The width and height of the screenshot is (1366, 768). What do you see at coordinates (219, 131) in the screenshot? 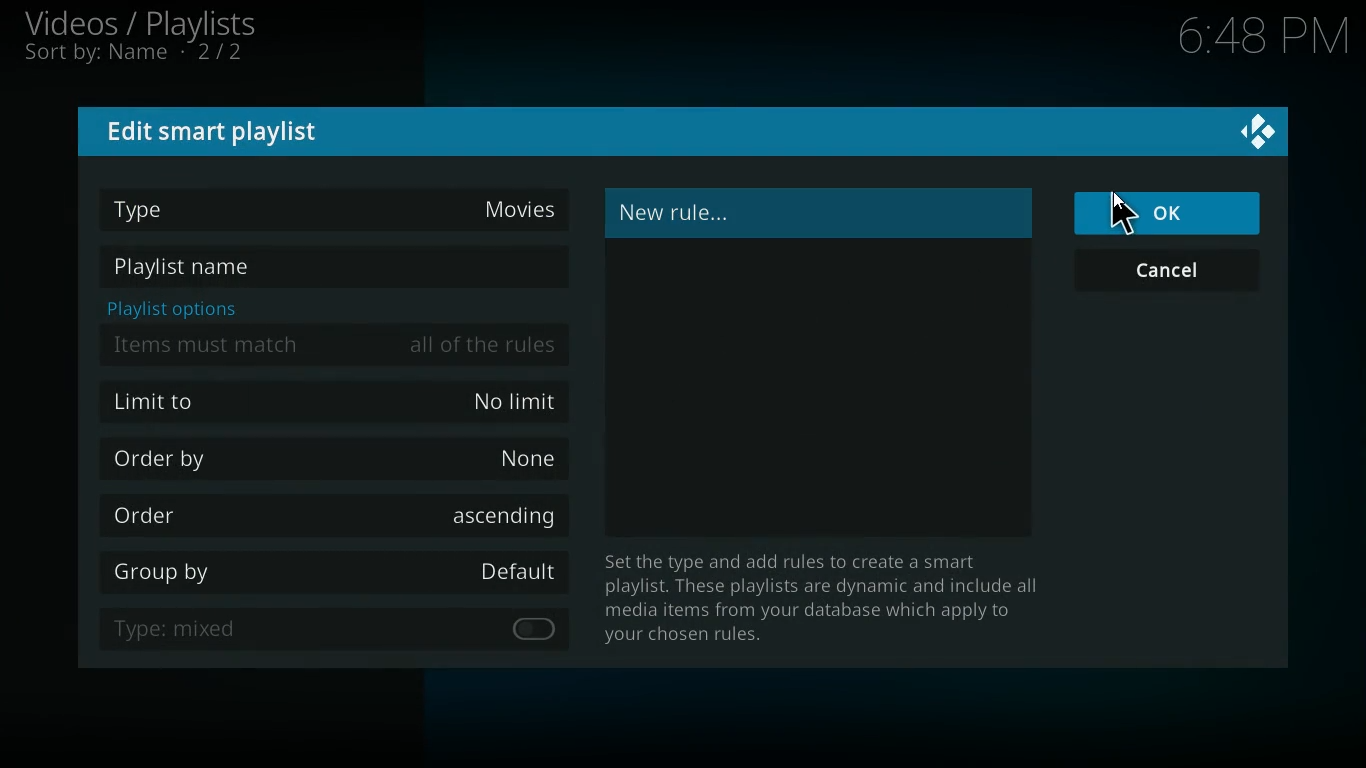
I see `edit smart playlist` at bounding box center [219, 131].